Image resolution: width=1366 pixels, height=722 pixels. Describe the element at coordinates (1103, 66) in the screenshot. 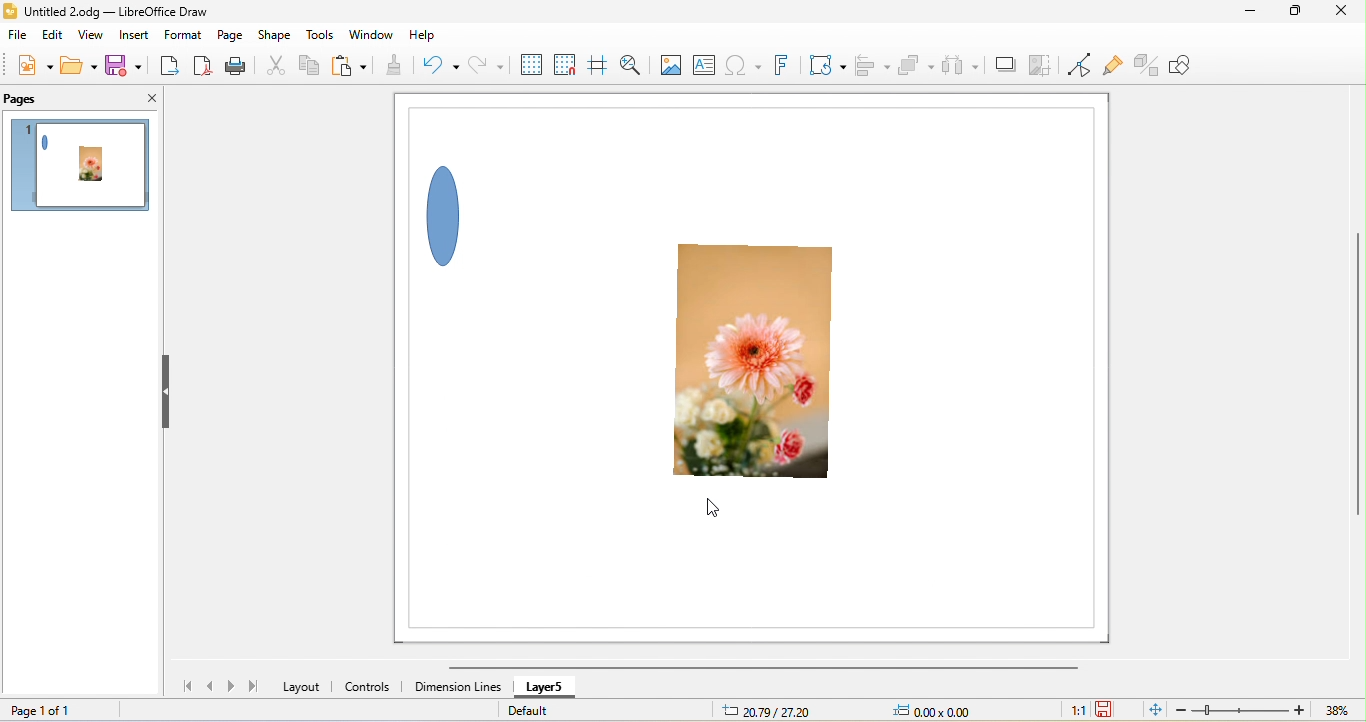

I see `show gluepoint` at that location.